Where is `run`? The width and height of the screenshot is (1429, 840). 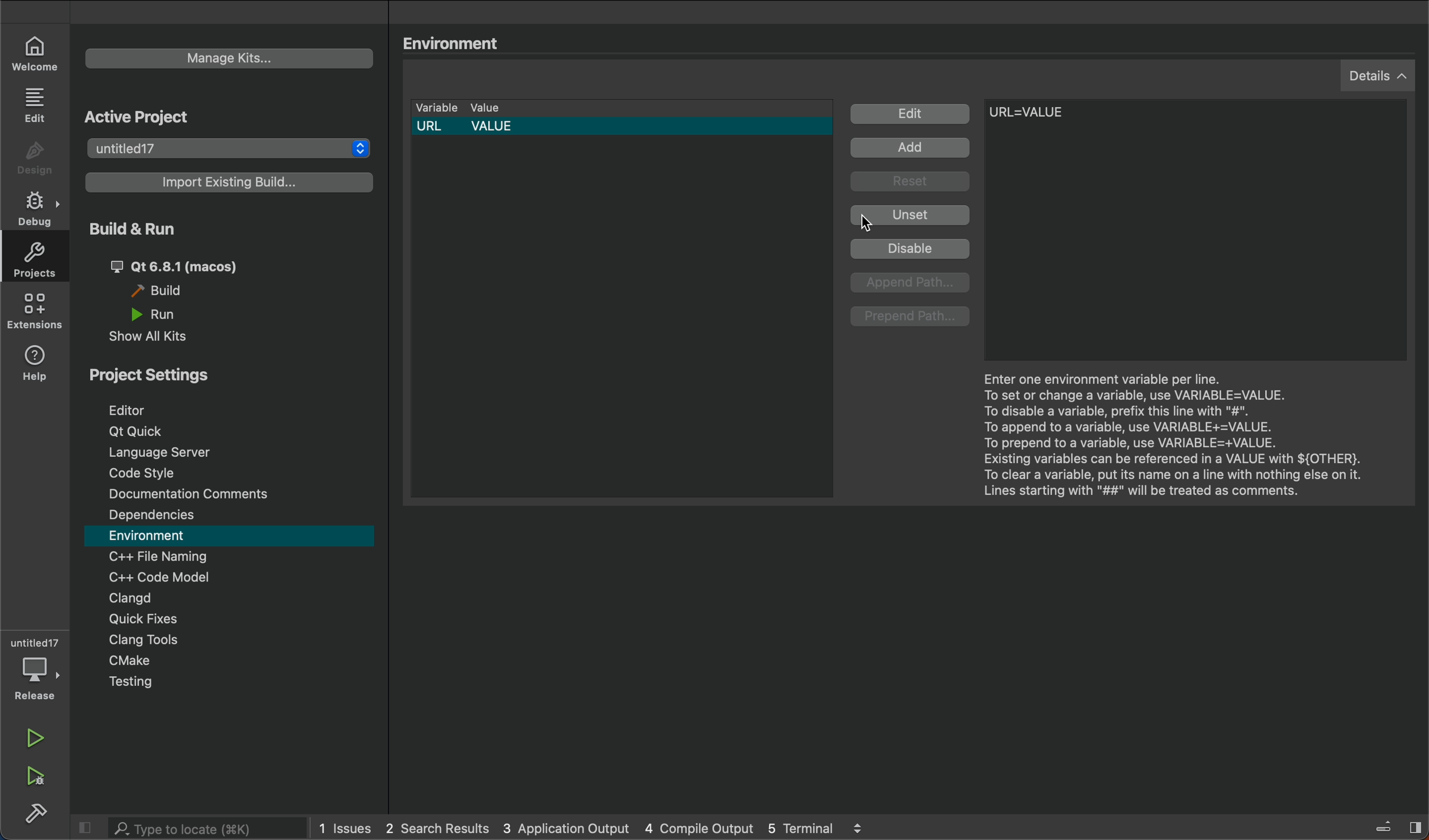 run is located at coordinates (40, 737).